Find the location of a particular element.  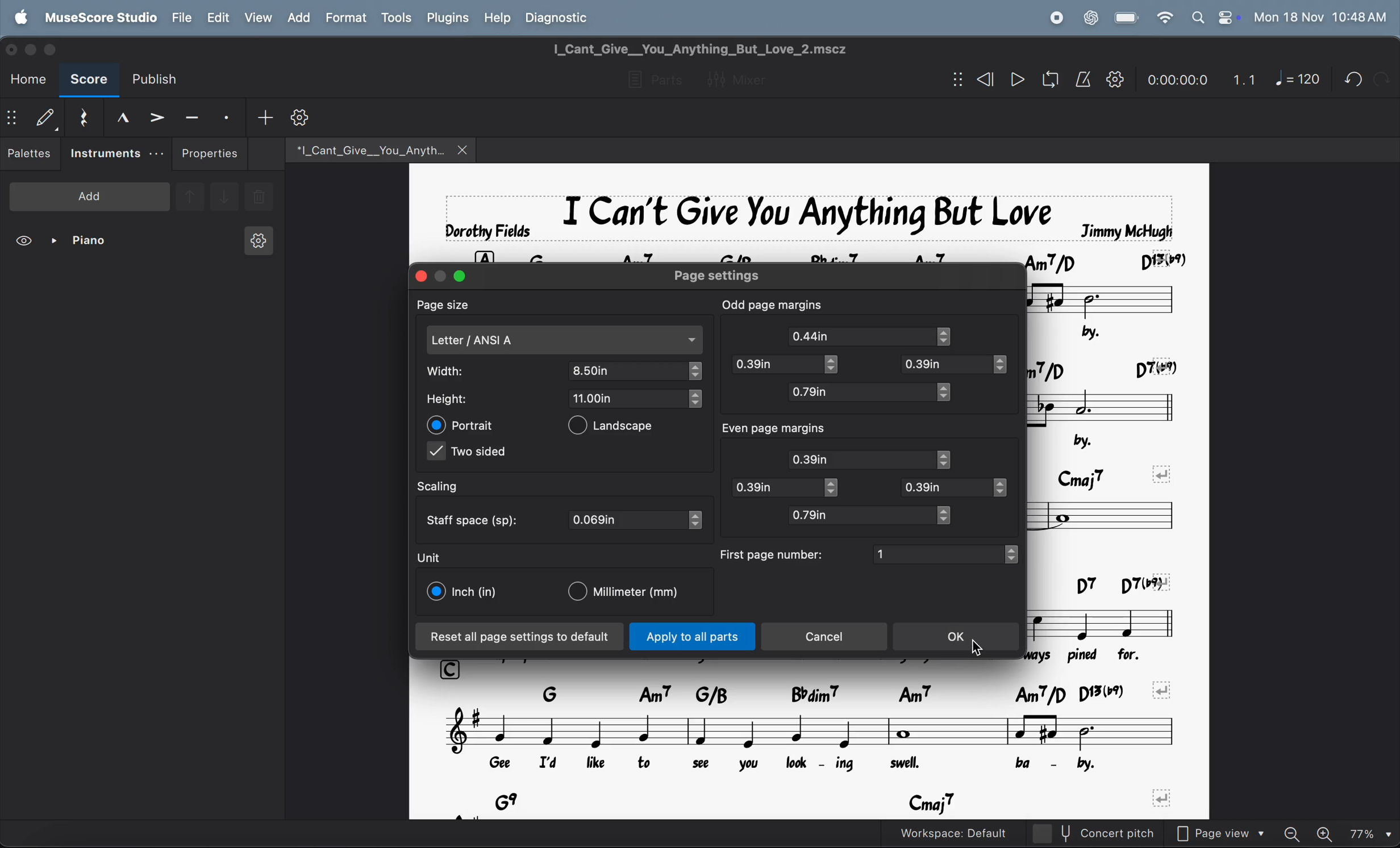

width is located at coordinates (458, 371).